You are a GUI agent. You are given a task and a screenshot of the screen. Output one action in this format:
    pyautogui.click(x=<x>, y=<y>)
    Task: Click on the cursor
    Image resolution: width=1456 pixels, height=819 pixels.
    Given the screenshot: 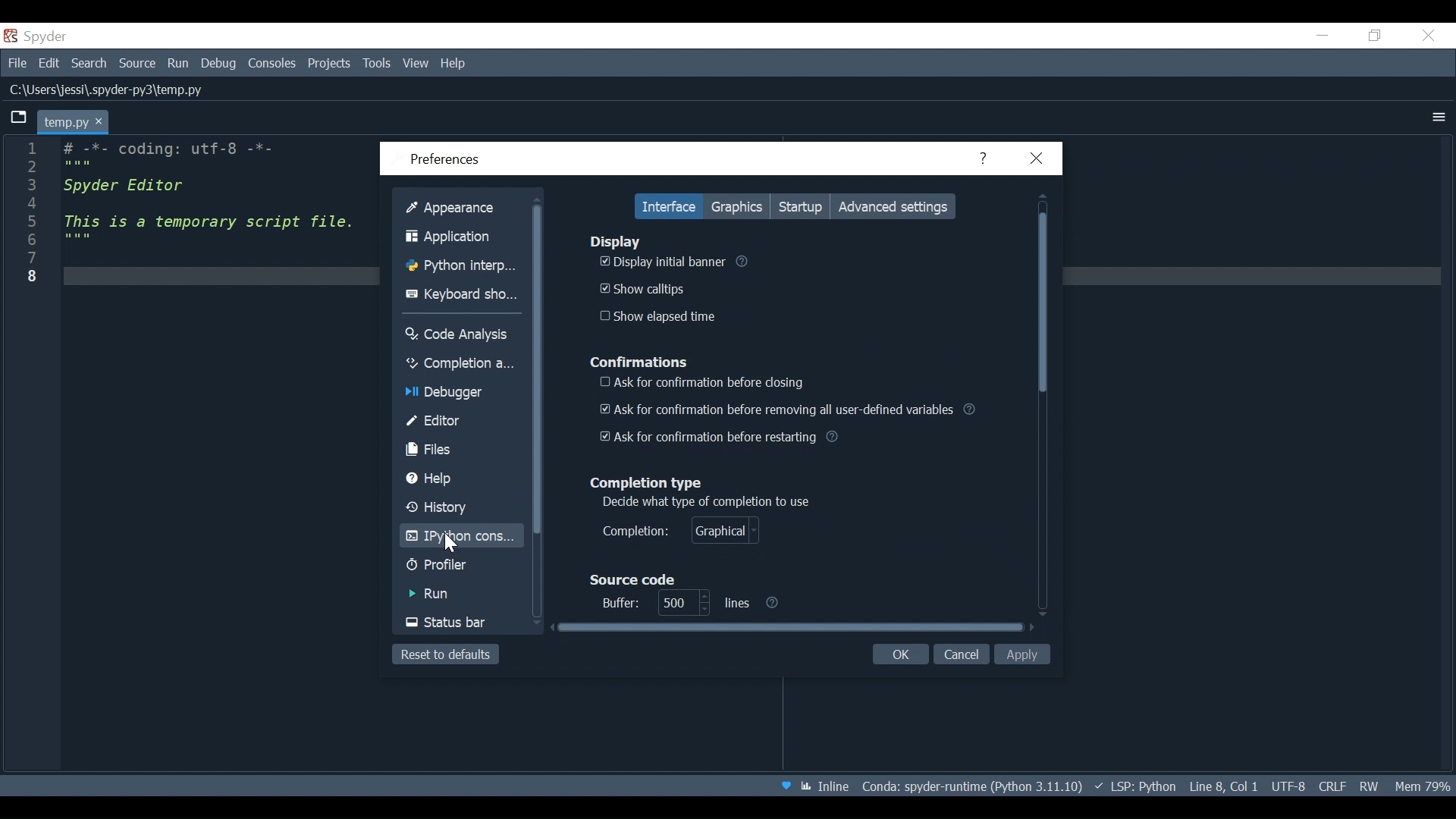 What is the action you would take?
    pyautogui.click(x=452, y=544)
    